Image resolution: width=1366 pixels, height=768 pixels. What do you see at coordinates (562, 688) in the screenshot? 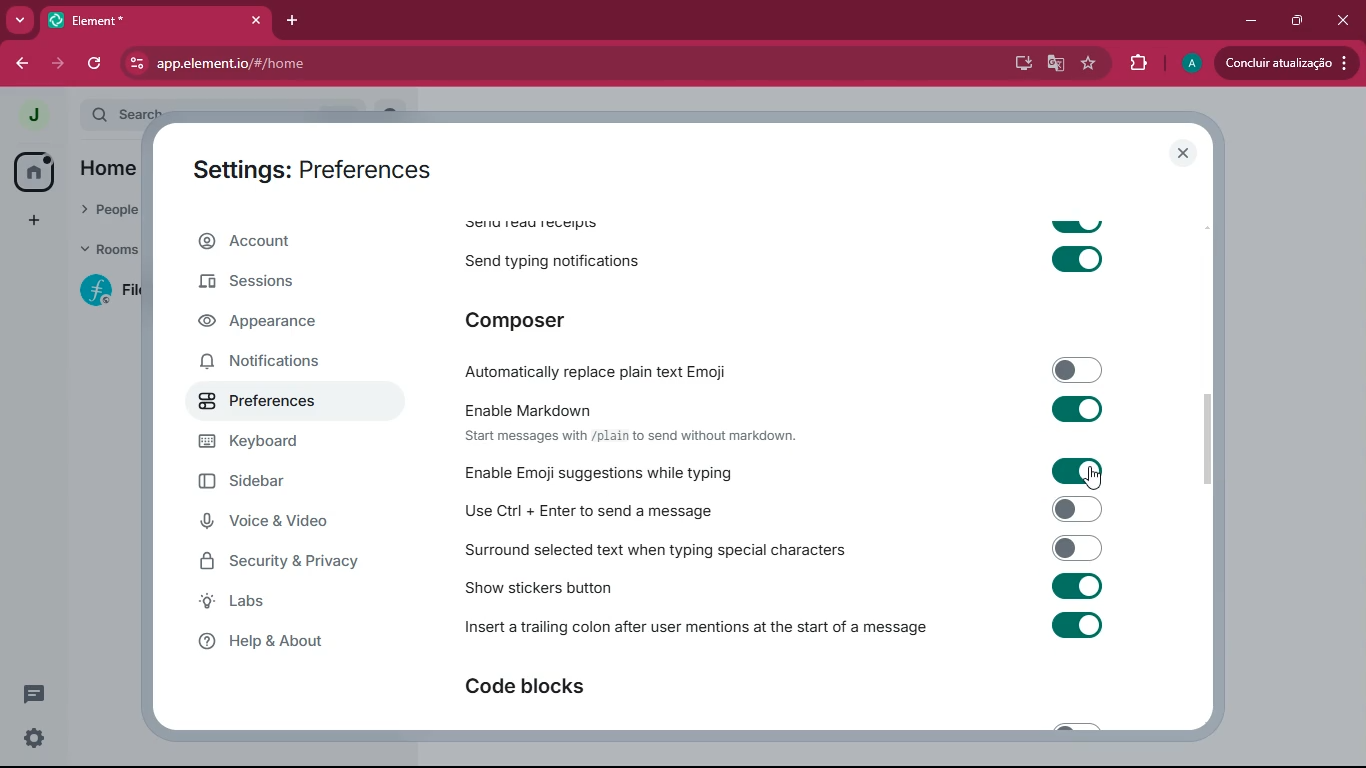
I see `code blocks` at bounding box center [562, 688].